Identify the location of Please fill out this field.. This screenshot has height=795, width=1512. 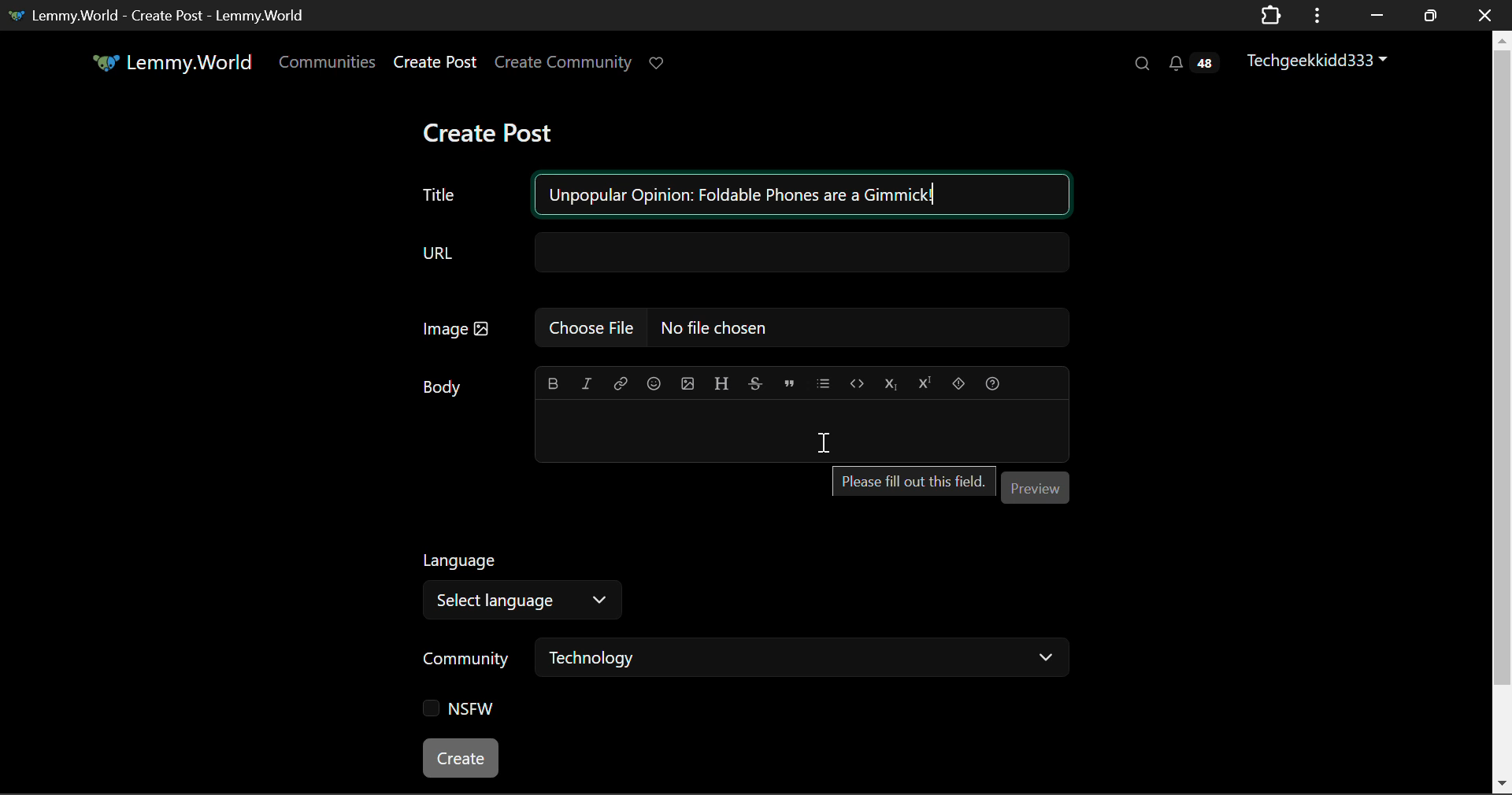
(909, 481).